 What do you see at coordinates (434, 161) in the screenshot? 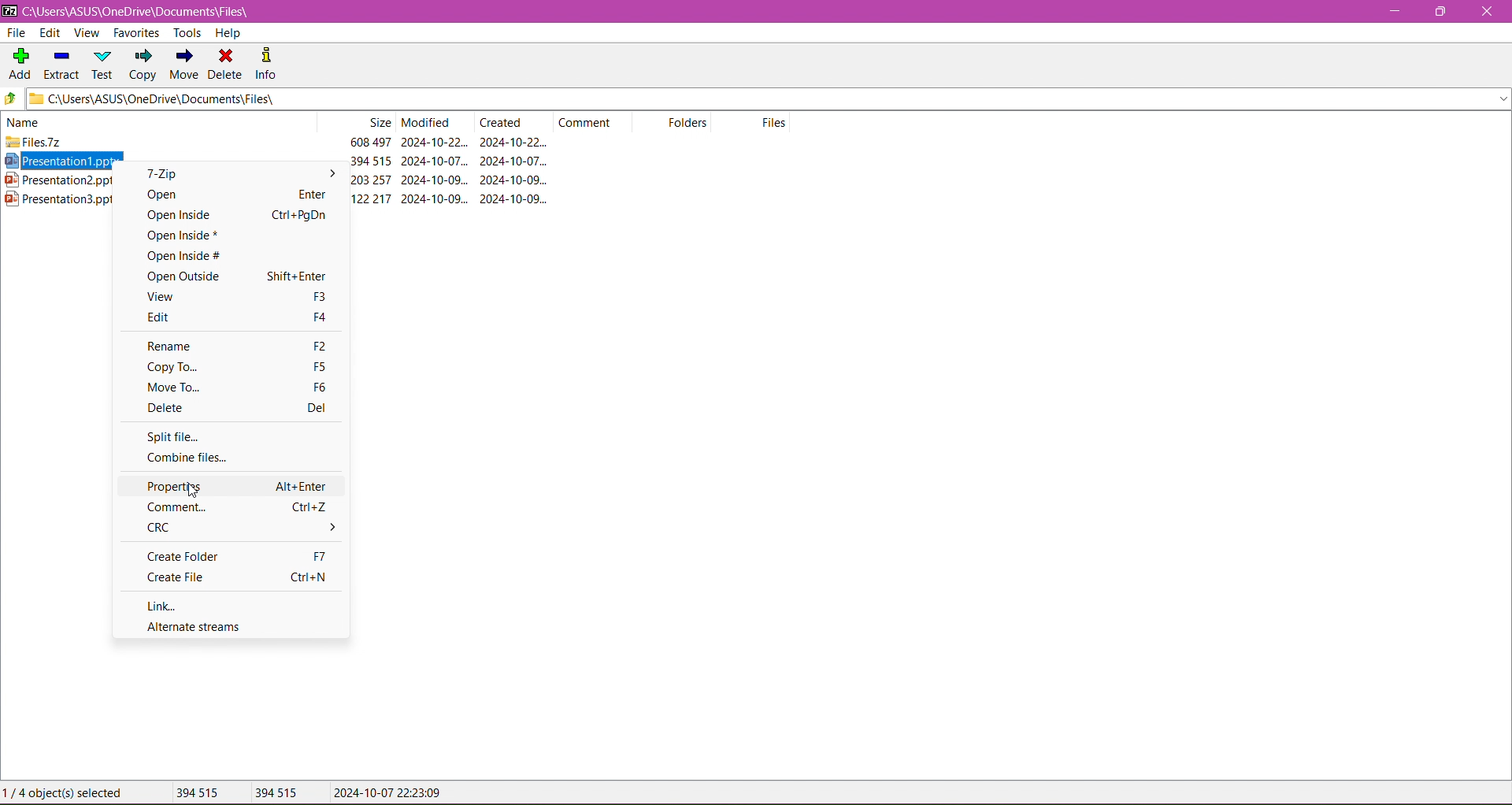
I see `2024-10-07` at bounding box center [434, 161].